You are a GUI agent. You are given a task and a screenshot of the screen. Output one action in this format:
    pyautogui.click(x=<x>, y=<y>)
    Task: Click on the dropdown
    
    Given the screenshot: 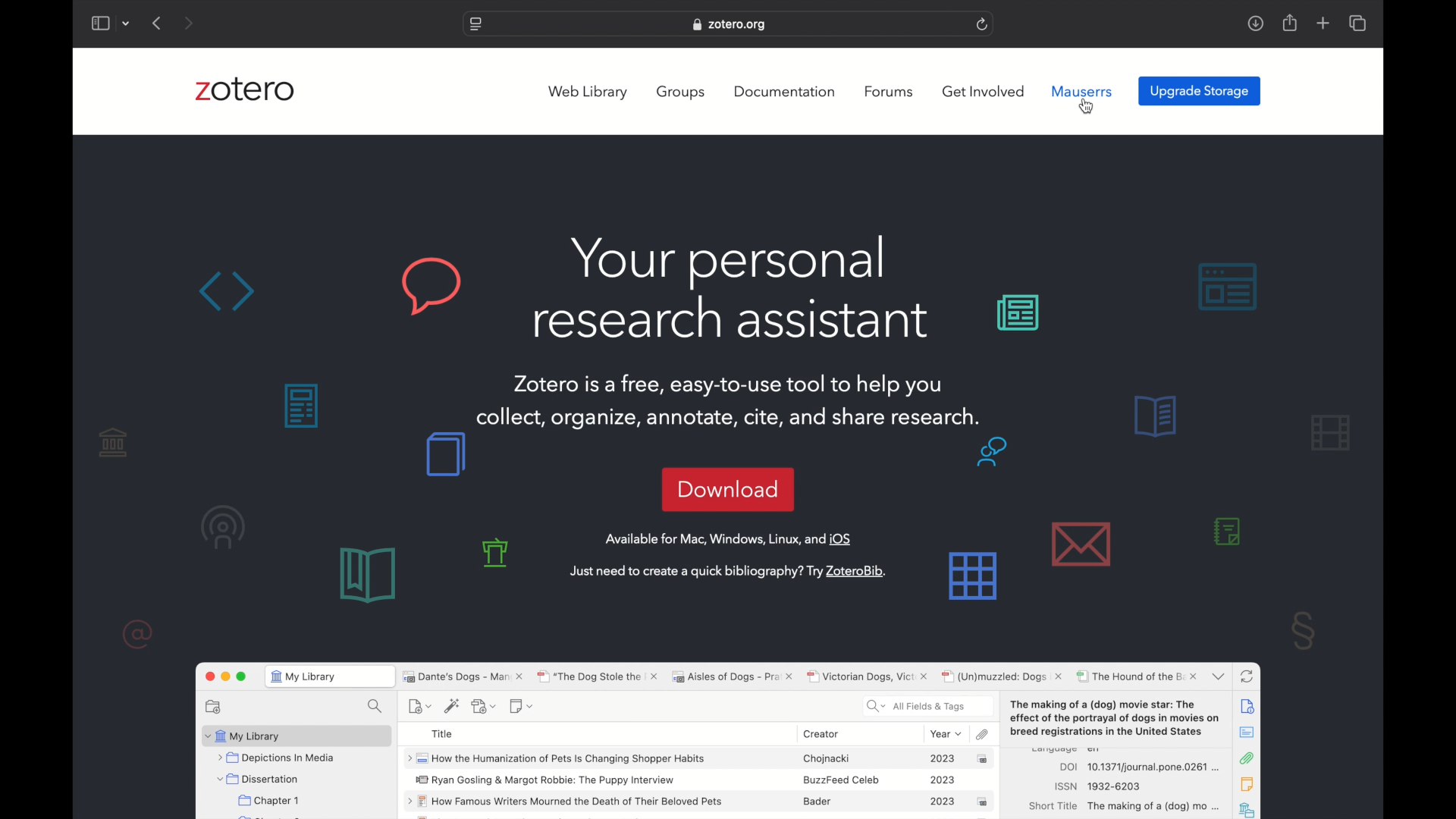 What is the action you would take?
    pyautogui.click(x=127, y=24)
    